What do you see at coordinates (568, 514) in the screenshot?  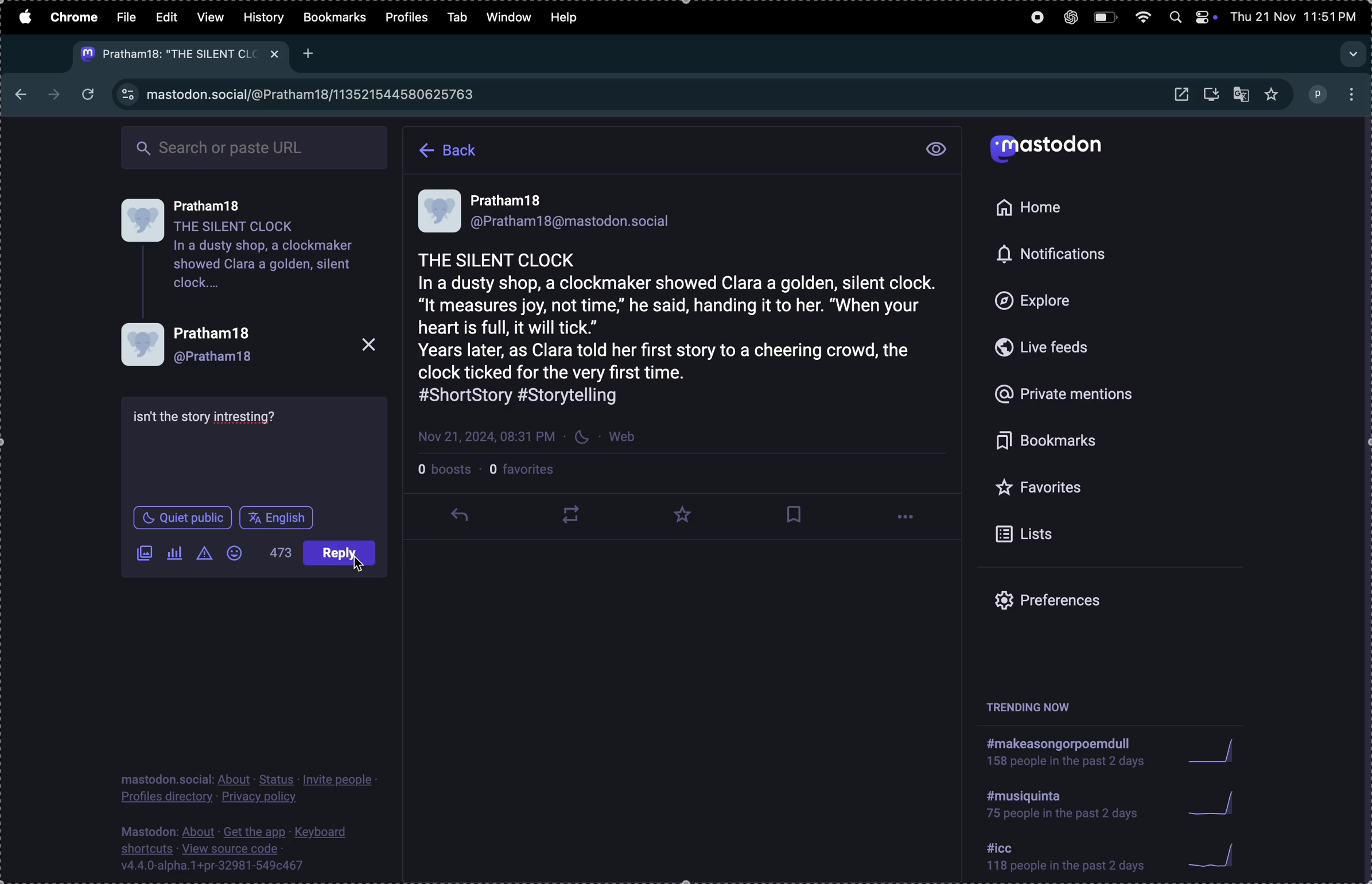 I see `loopplay` at bounding box center [568, 514].